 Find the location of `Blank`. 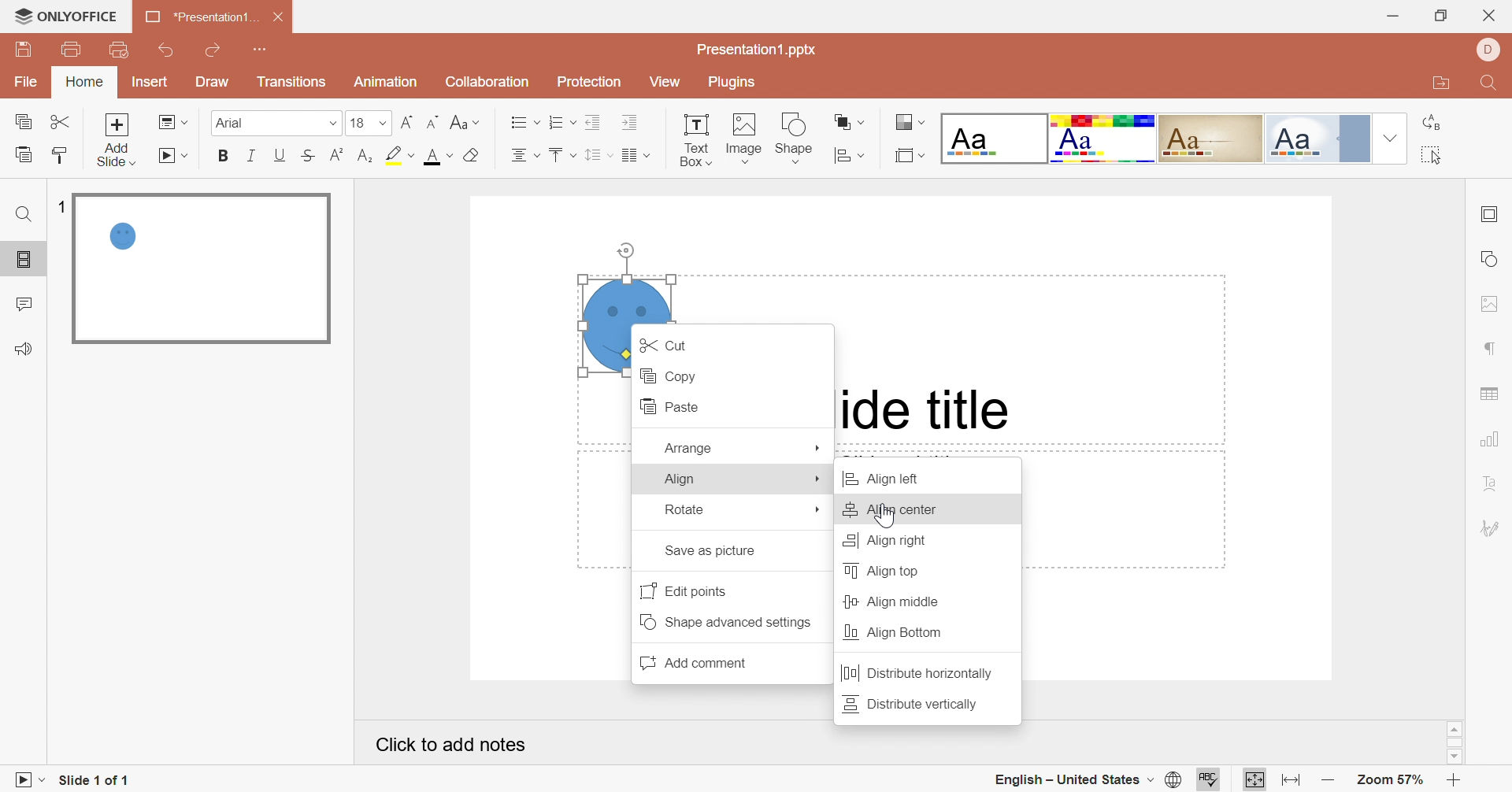

Blank is located at coordinates (994, 139).